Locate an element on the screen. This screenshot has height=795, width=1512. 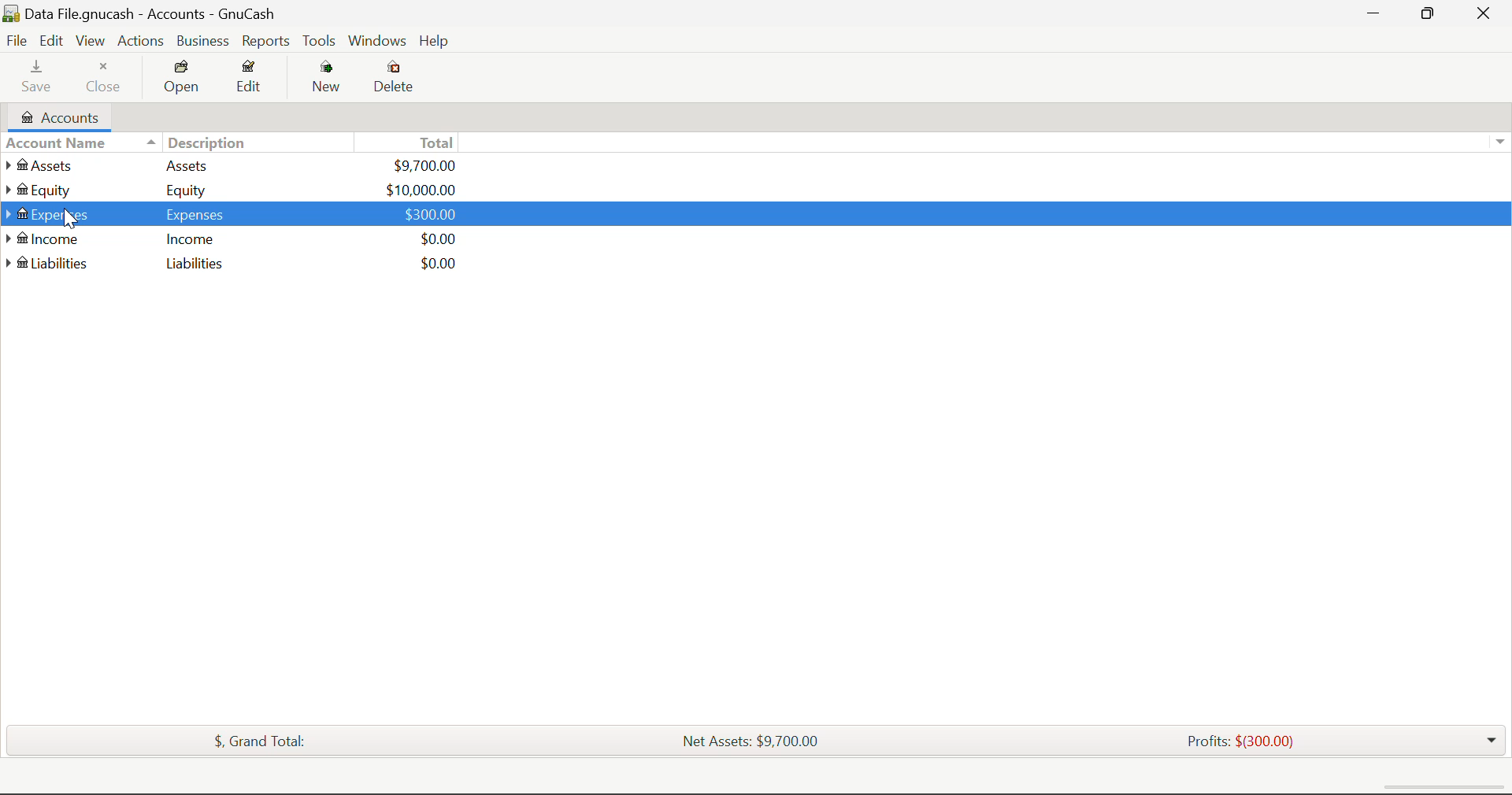
Equity Equity $10,000.00 is located at coordinates (232, 188).